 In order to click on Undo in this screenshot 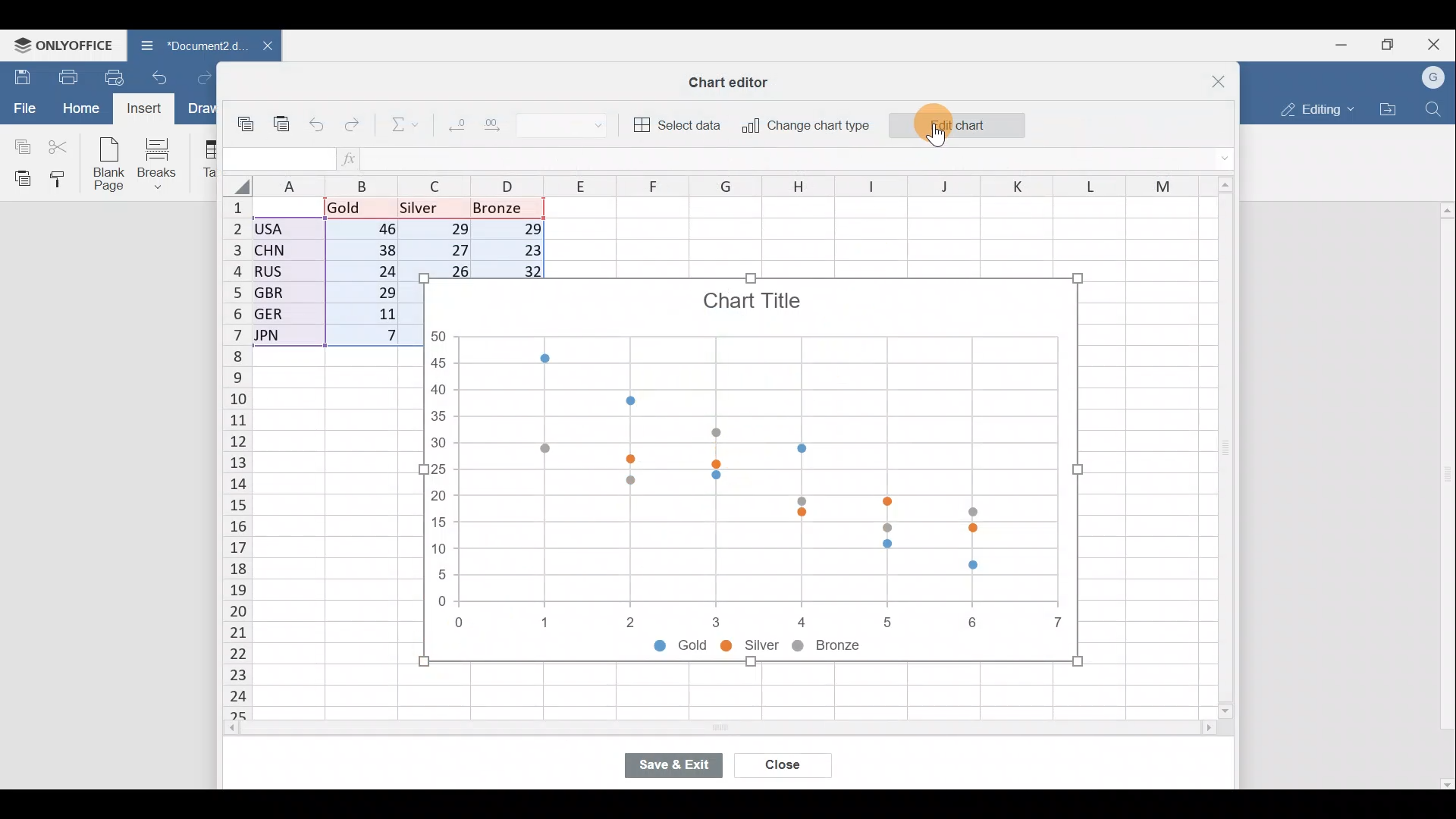, I will do `click(163, 76)`.